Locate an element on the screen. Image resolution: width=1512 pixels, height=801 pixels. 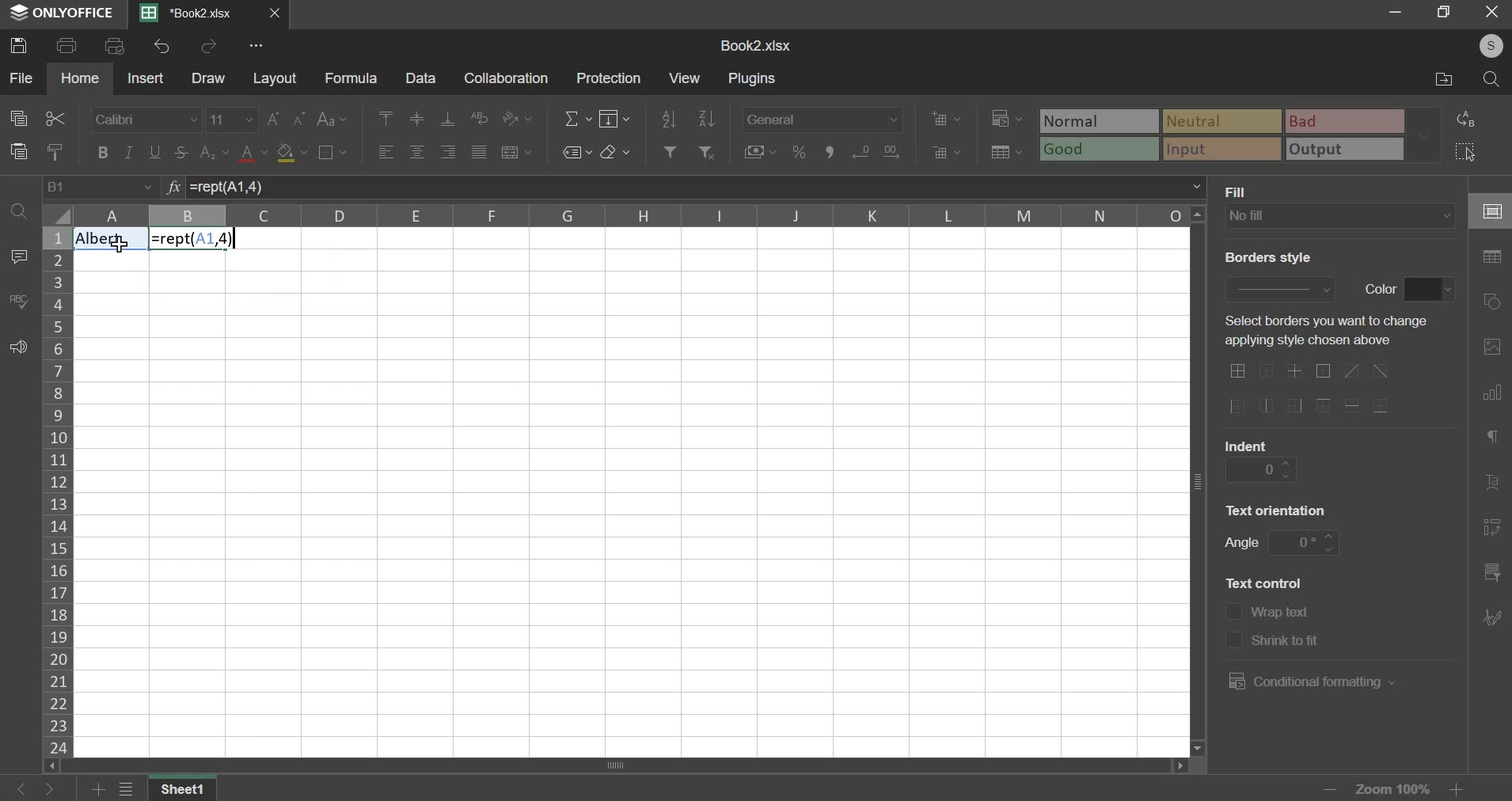
paragraph settings is located at coordinates (1496, 440).